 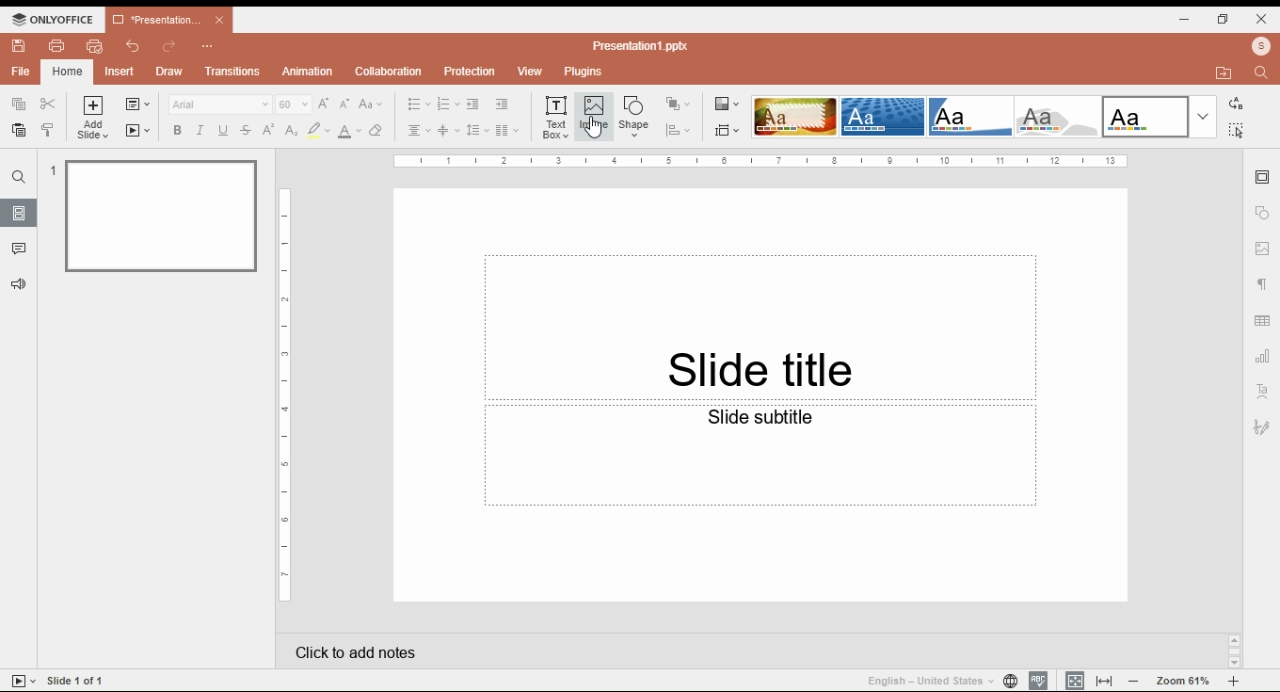 What do you see at coordinates (1261, 284) in the screenshot?
I see `paragraph settings` at bounding box center [1261, 284].